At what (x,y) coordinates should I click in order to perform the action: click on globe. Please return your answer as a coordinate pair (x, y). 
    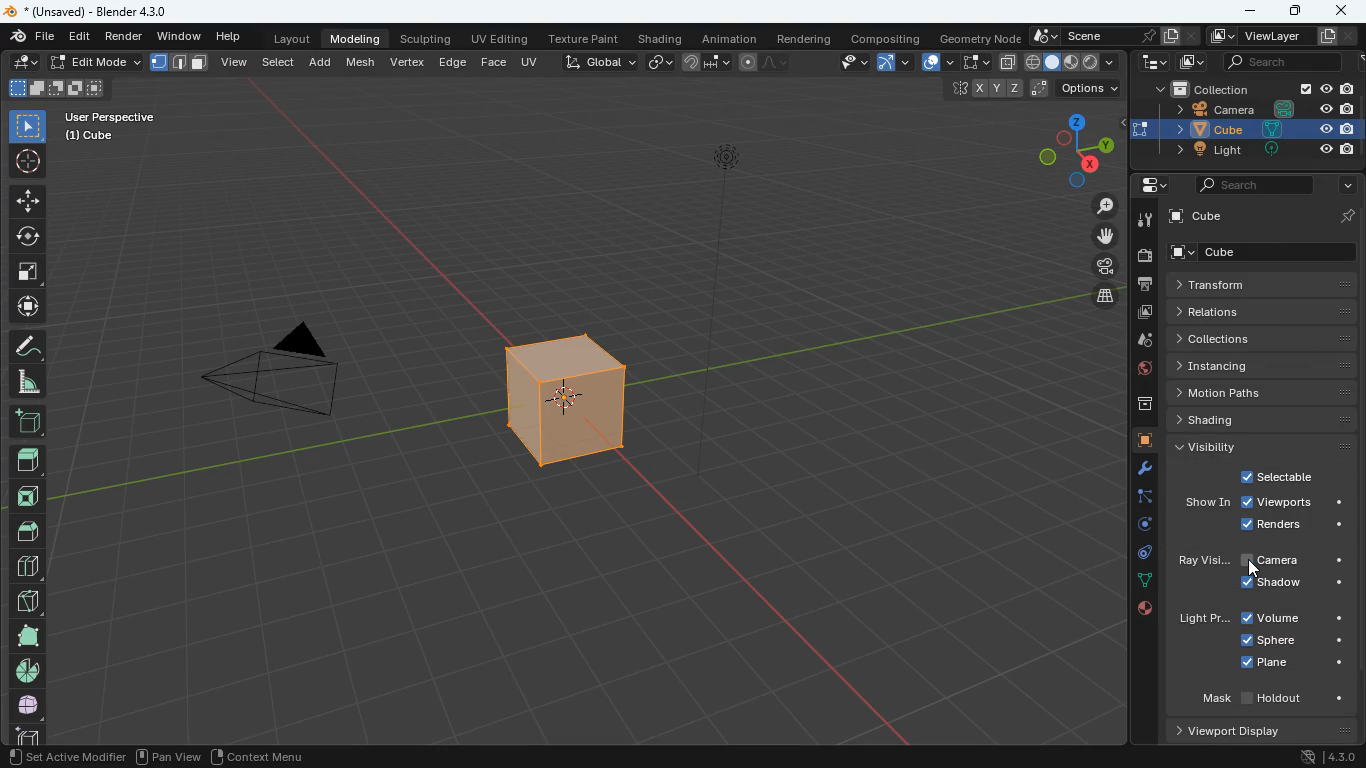
    Looking at the image, I should click on (26, 707).